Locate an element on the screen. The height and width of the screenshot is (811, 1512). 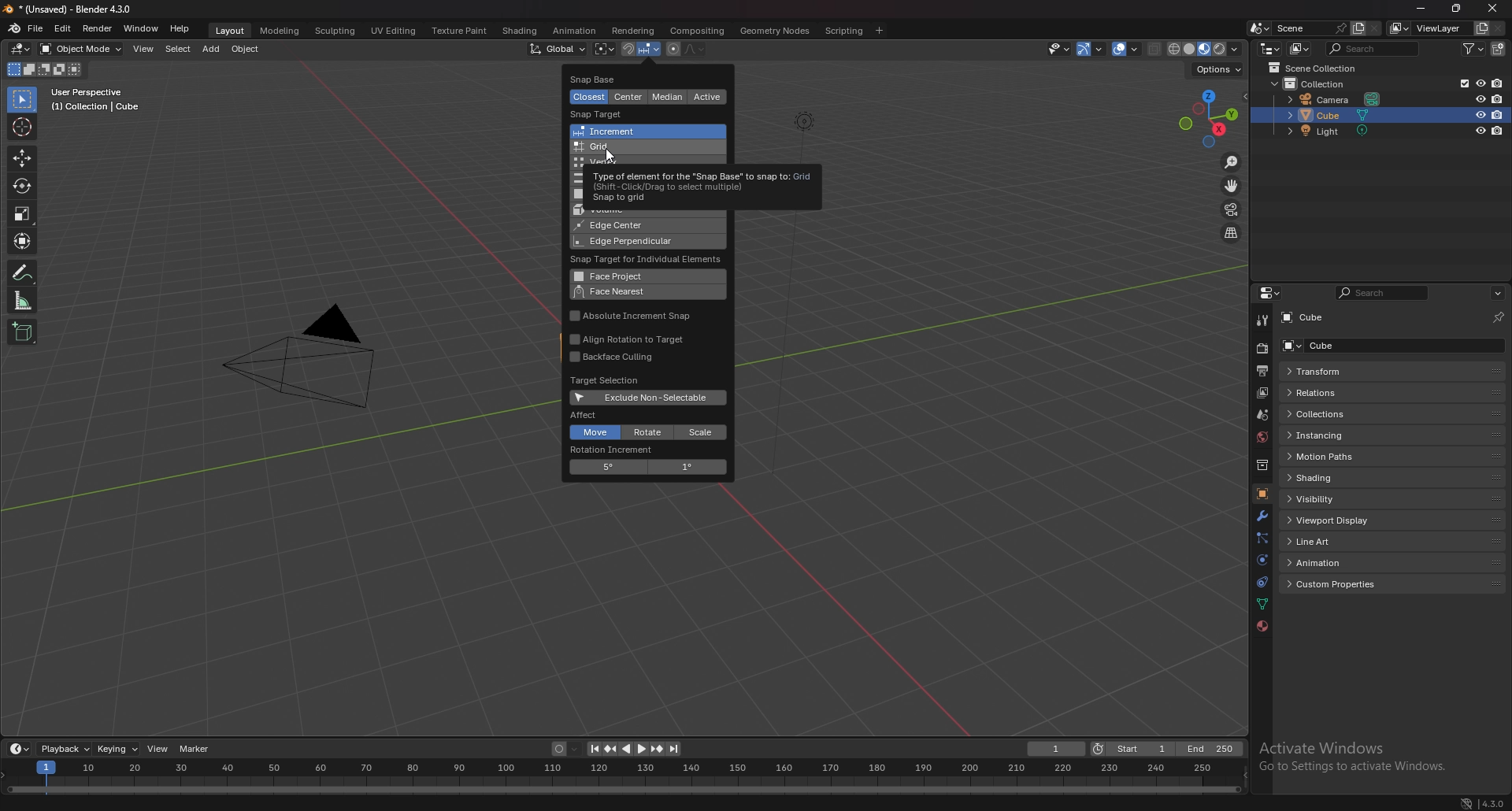
exclude non selectable is located at coordinates (649, 398).